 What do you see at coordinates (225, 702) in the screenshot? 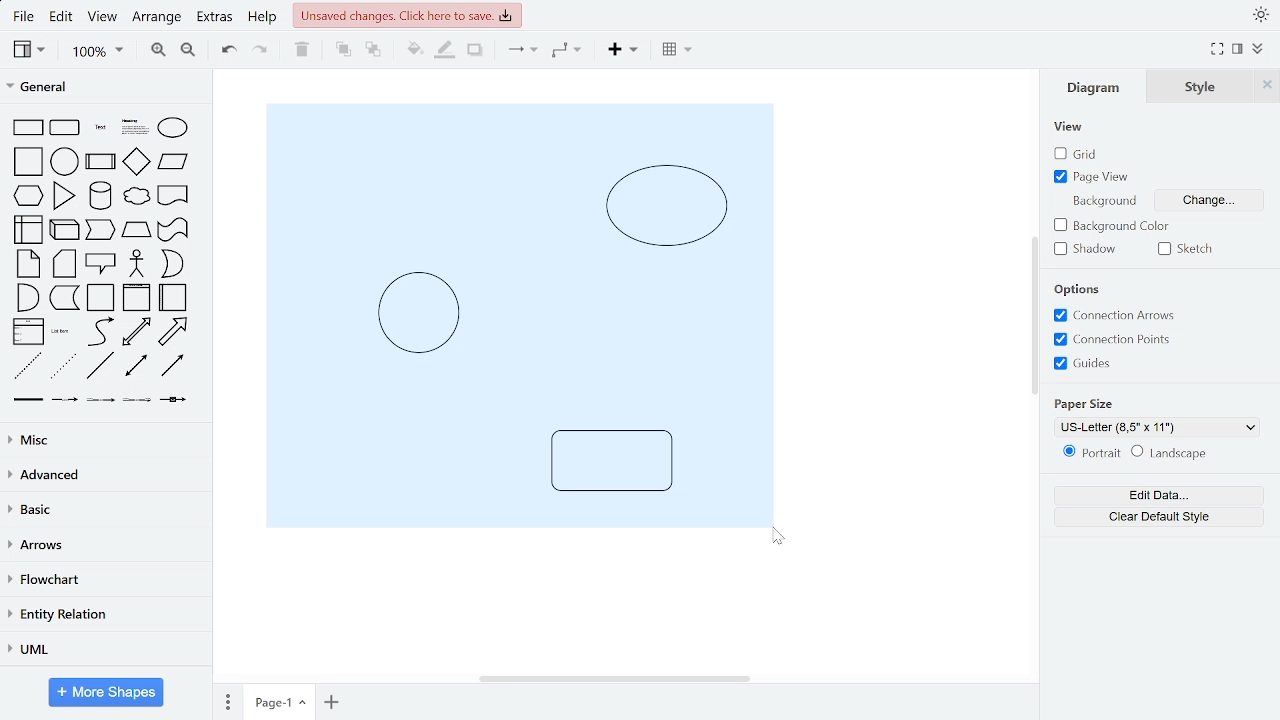
I see `pages` at bounding box center [225, 702].